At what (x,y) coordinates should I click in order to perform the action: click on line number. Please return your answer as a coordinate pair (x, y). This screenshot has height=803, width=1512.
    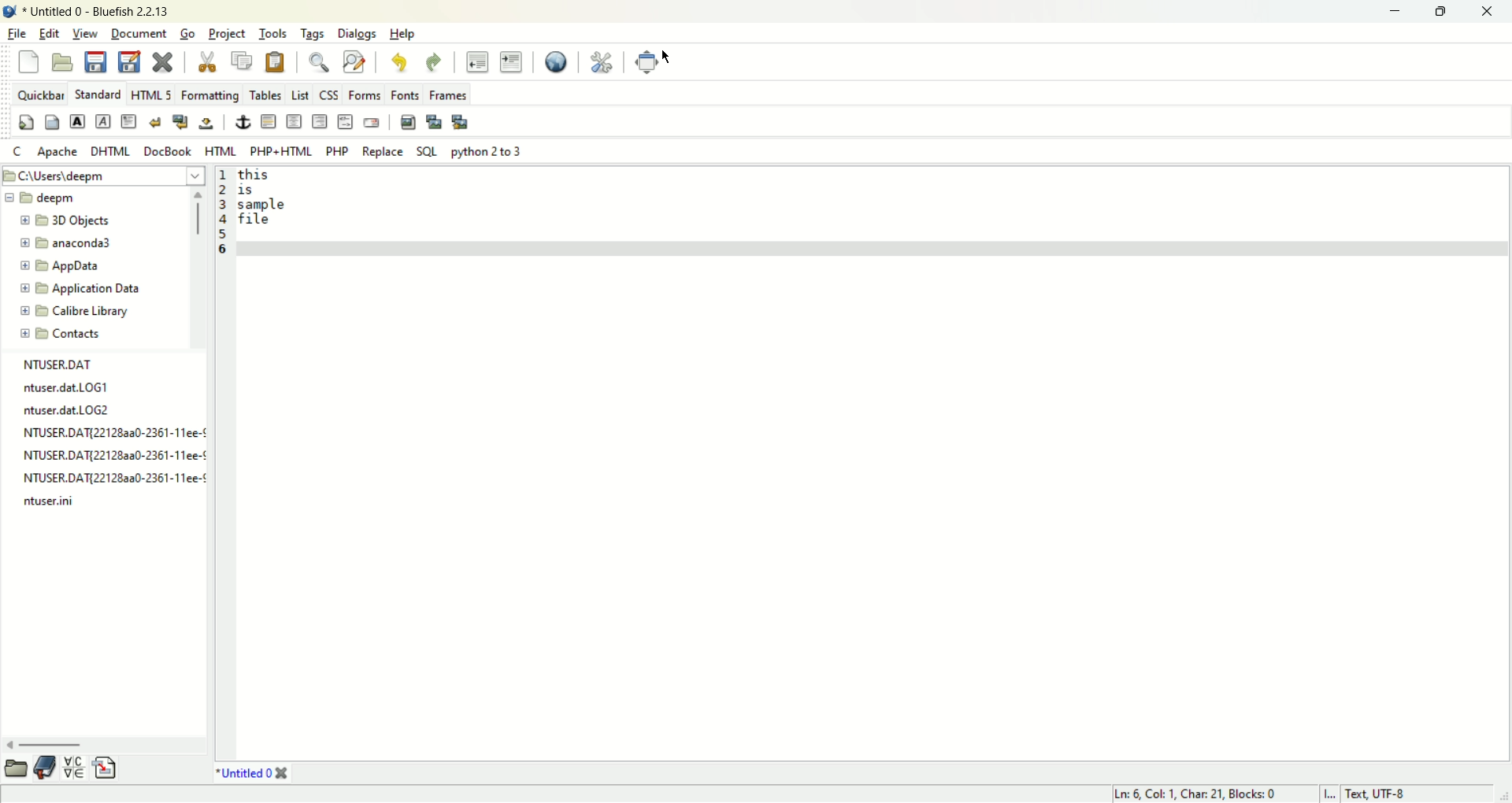
    Looking at the image, I should click on (224, 213).